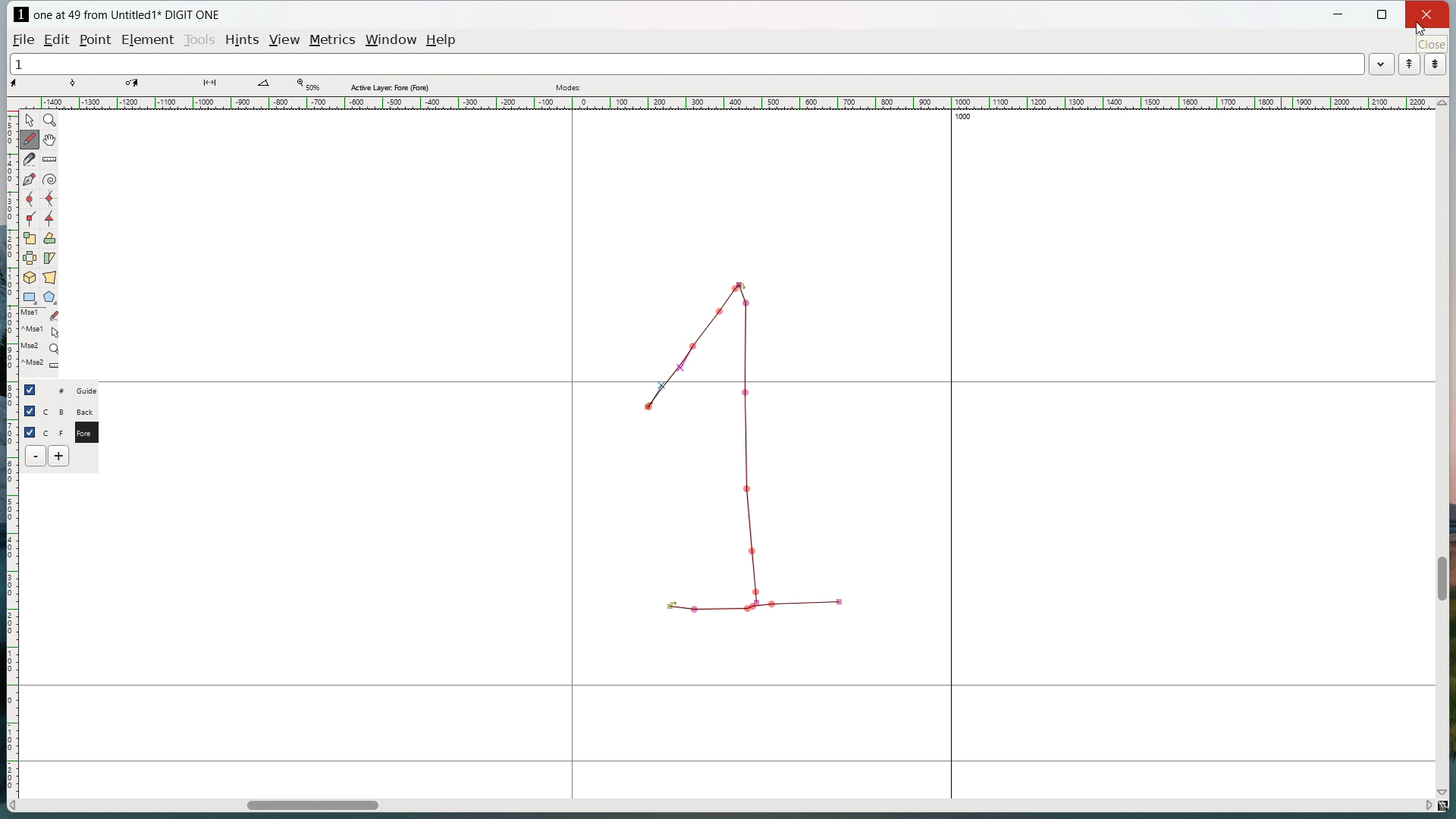 The height and width of the screenshot is (819, 1456). What do you see at coordinates (146, 85) in the screenshot?
I see `coordinate of destination` at bounding box center [146, 85].